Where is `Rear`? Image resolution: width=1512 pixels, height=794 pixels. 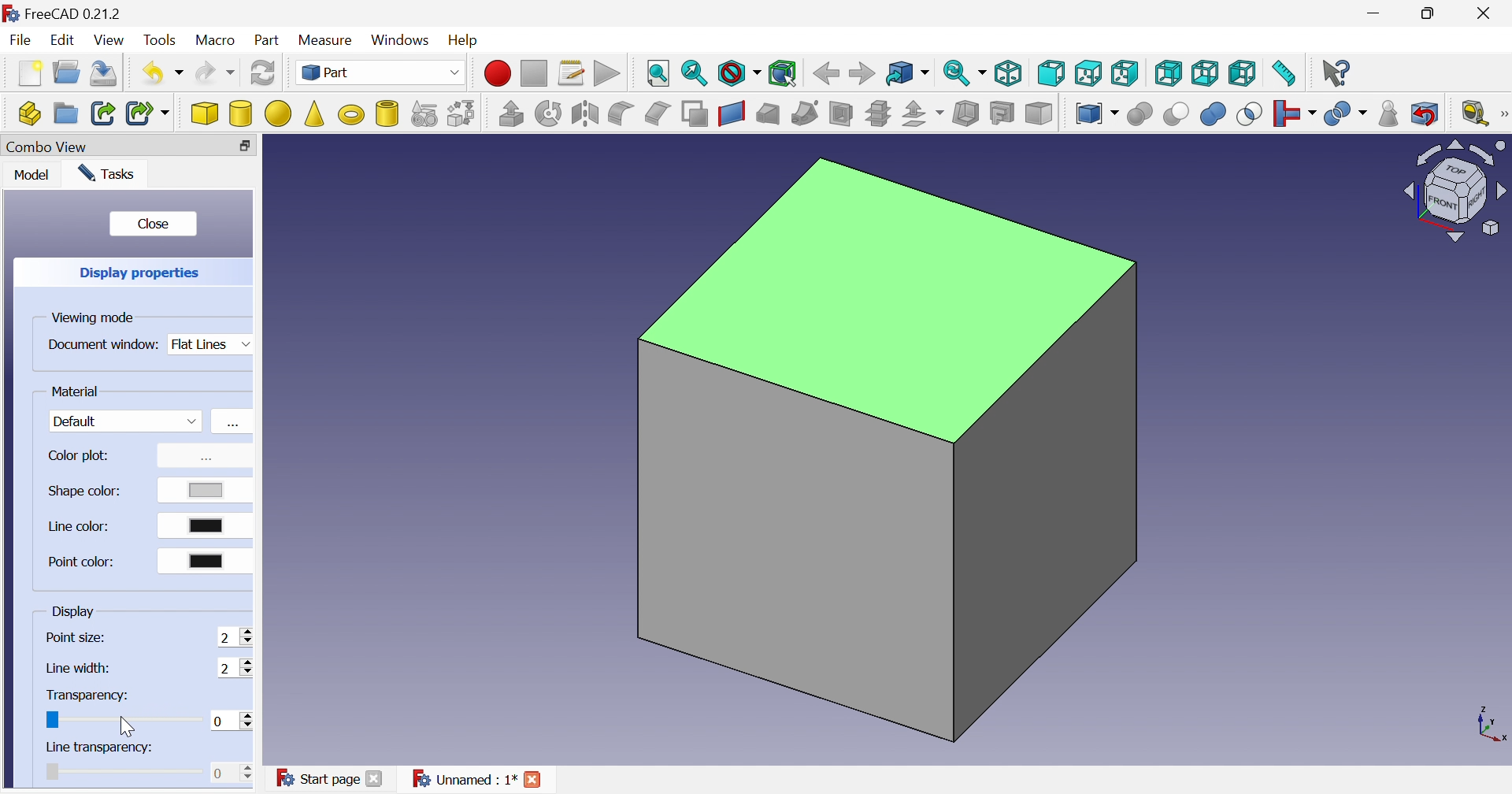
Rear is located at coordinates (1170, 73).